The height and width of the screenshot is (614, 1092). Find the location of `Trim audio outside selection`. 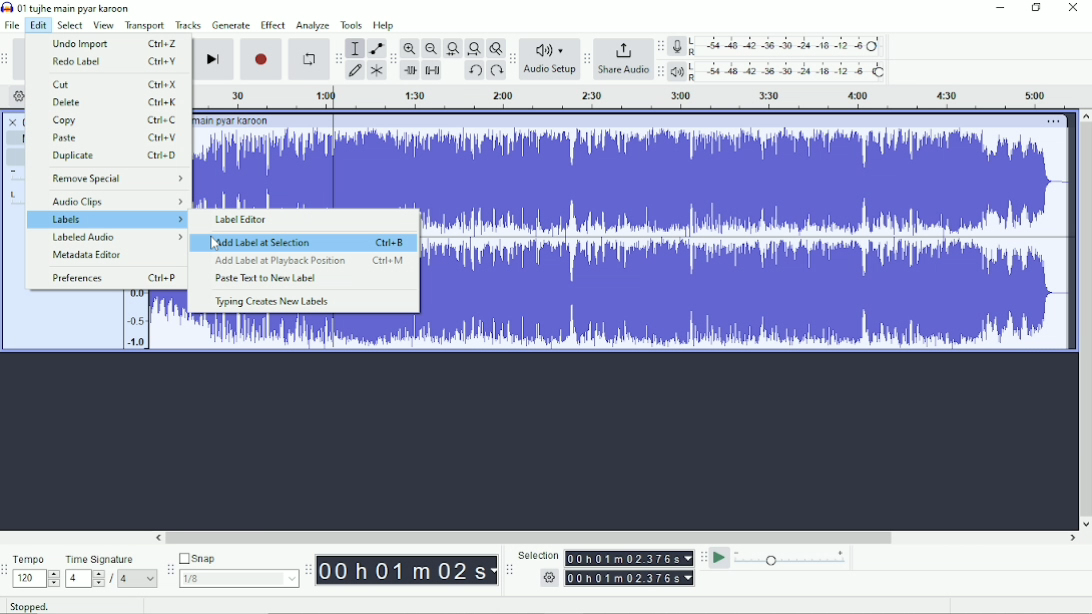

Trim audio outside selection is located at coordinates (410, 71).